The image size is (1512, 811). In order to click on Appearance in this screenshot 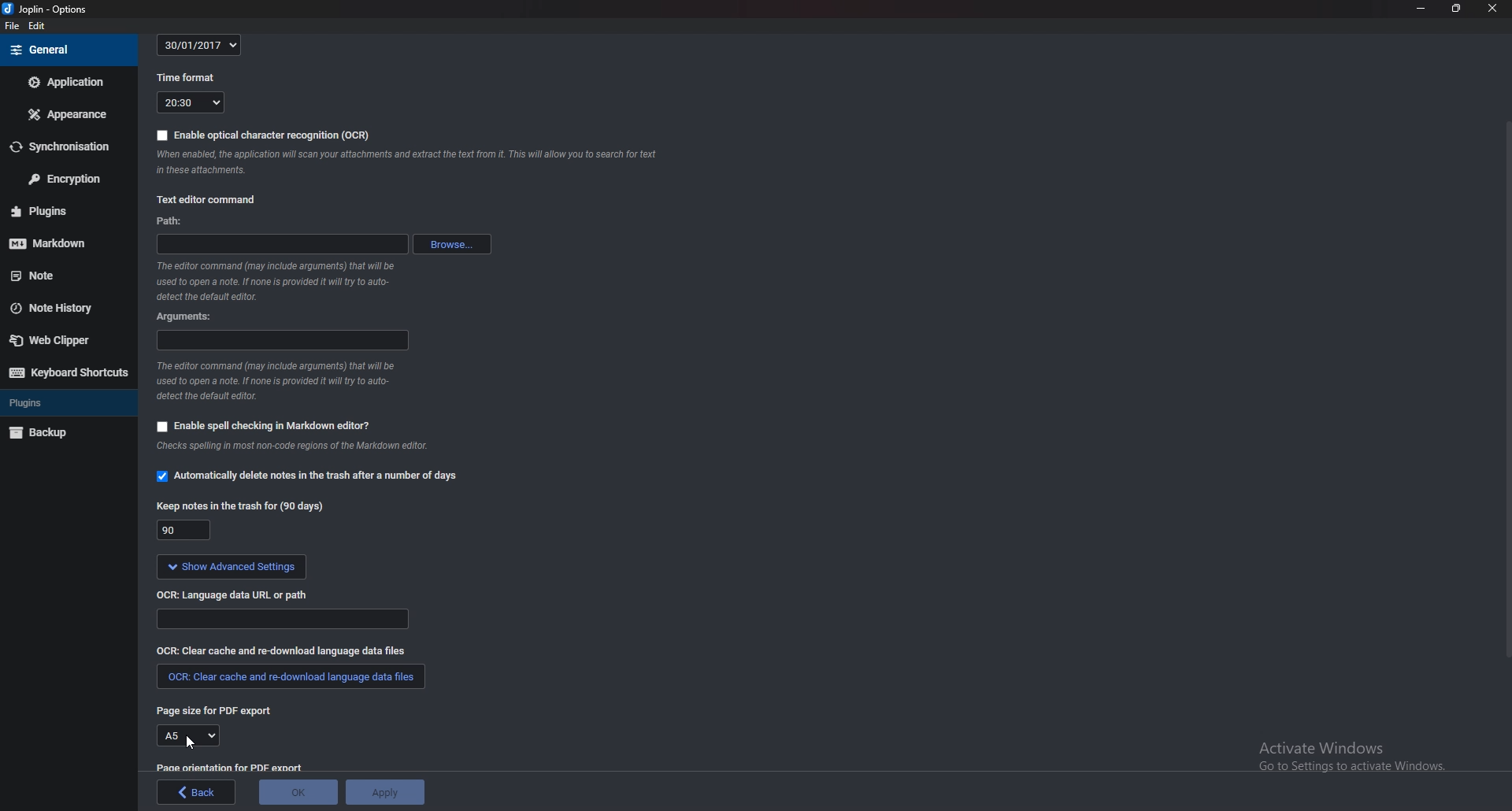, I will do `click(66, 113)`.